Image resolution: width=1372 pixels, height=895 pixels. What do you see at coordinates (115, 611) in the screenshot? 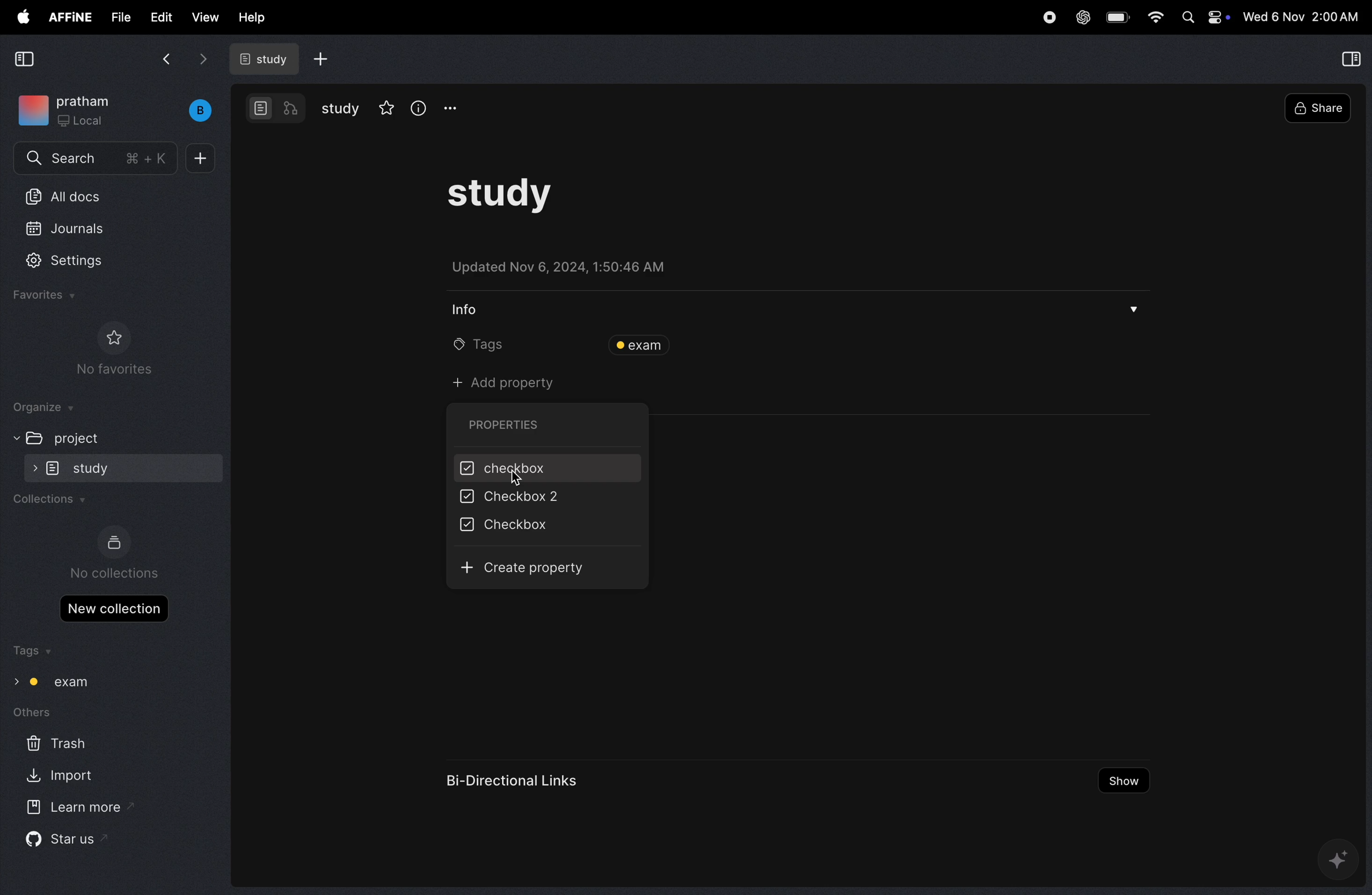
I see `new collections` at bounding box center [115, 611].